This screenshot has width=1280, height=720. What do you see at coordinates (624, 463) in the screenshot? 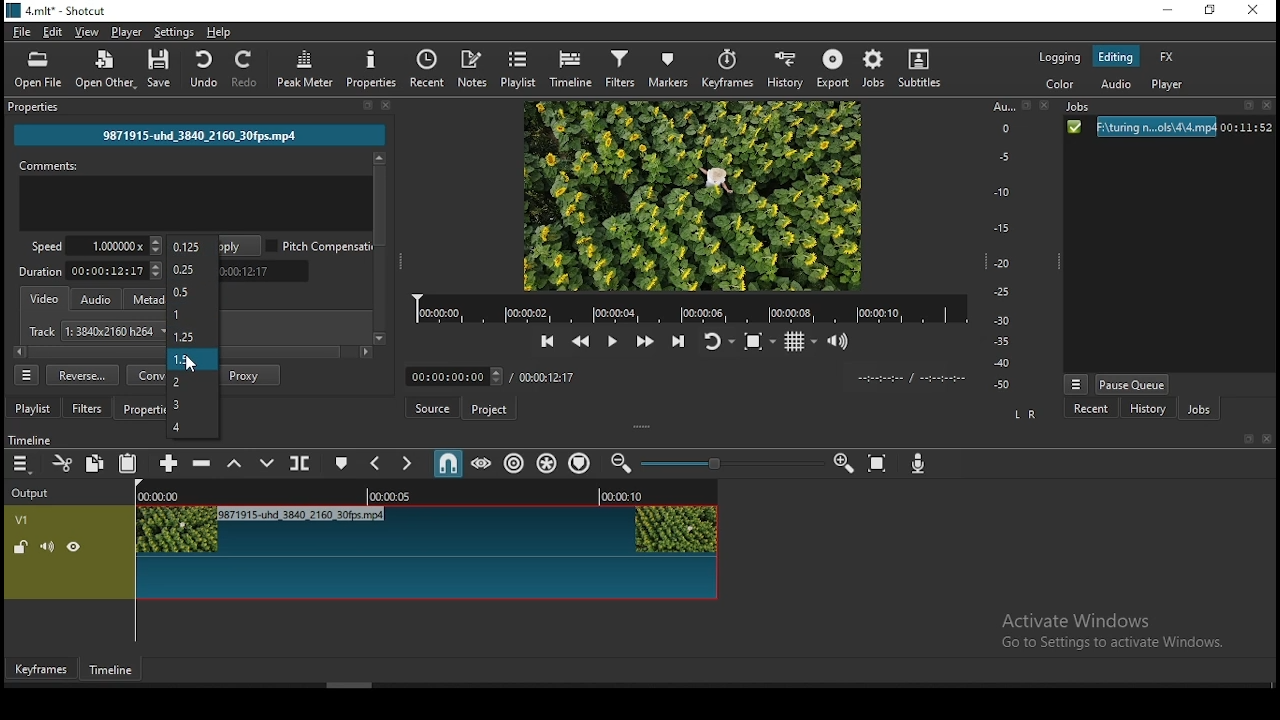
I see `zoom timeline out` at bounding box center [624, 463].